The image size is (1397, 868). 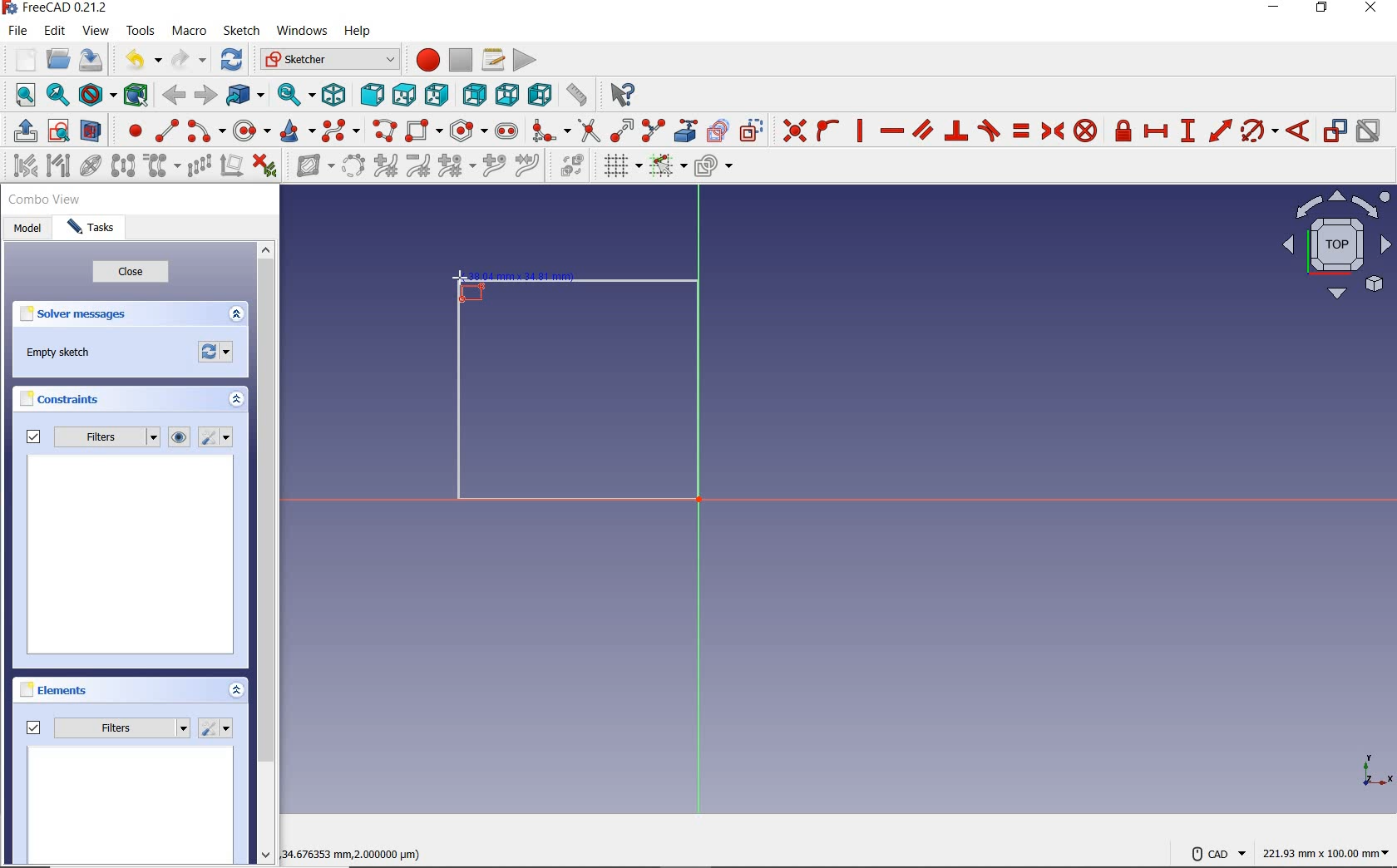 What do you see at coordinates (141, 32) in the screenshot?
I see `tools` at bounding box center [141, 32].